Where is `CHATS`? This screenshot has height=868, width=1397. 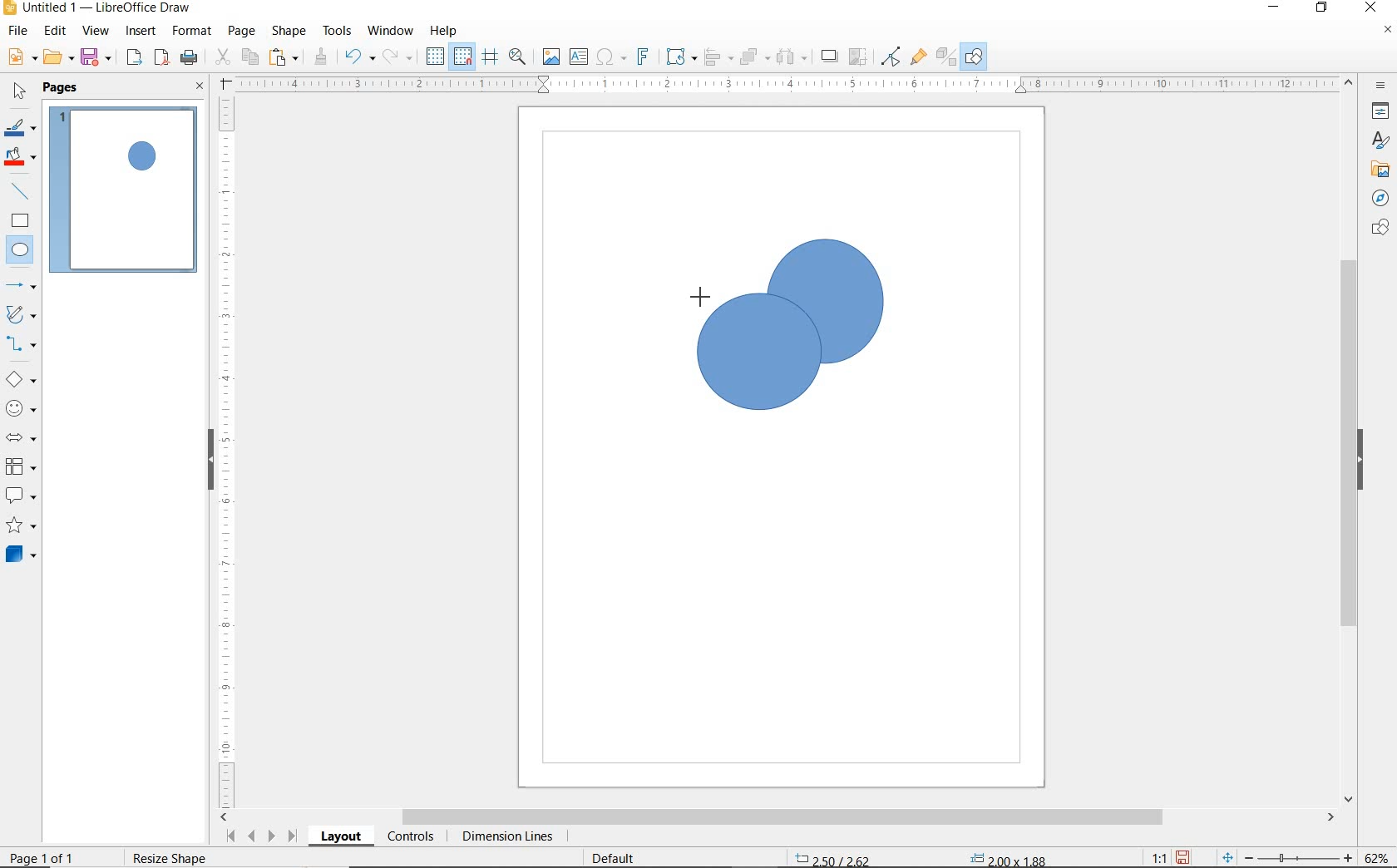
CHATS is located at coordinates (1377, 235).